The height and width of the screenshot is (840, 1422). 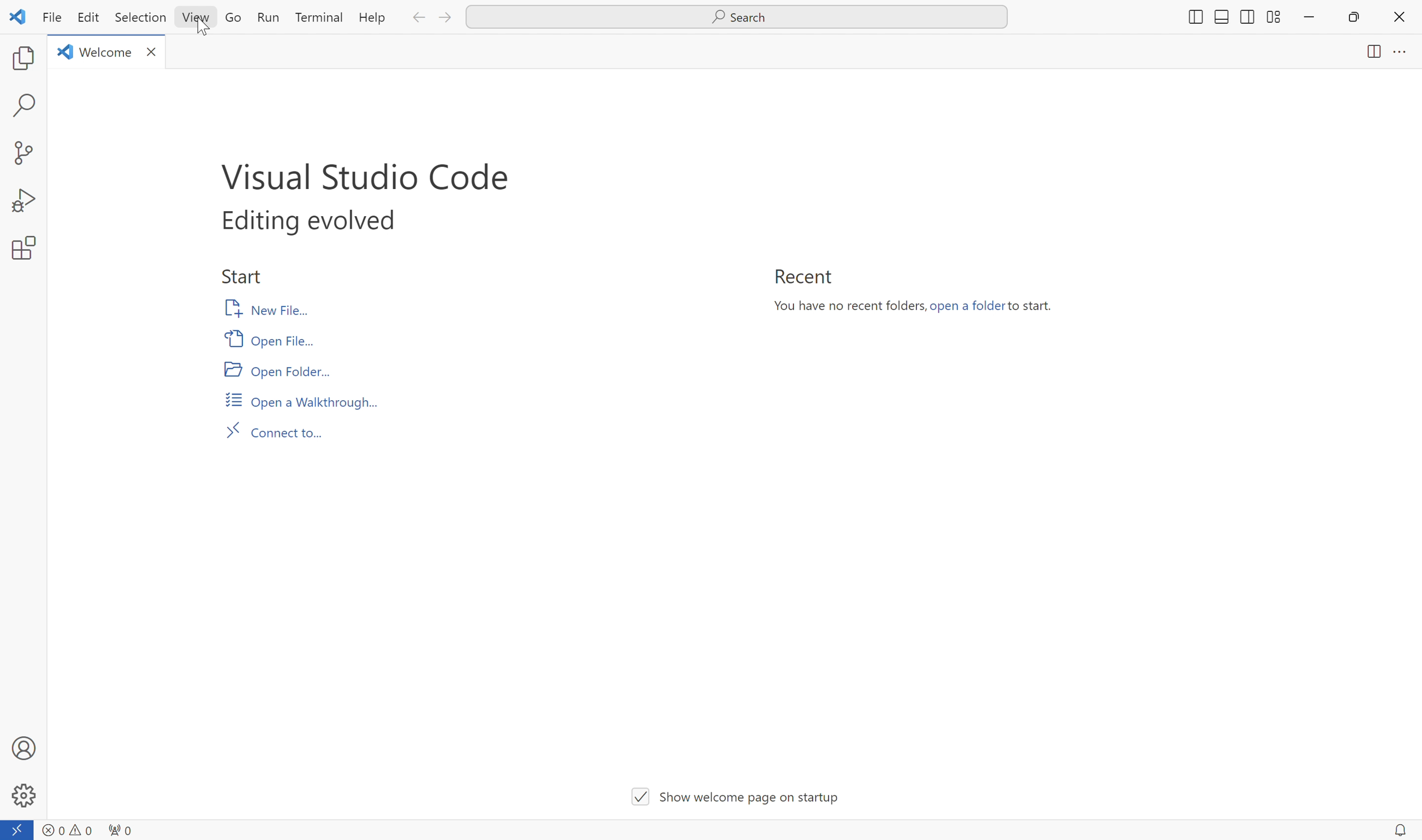 I want to click on recent, so click(x=806, y=277).